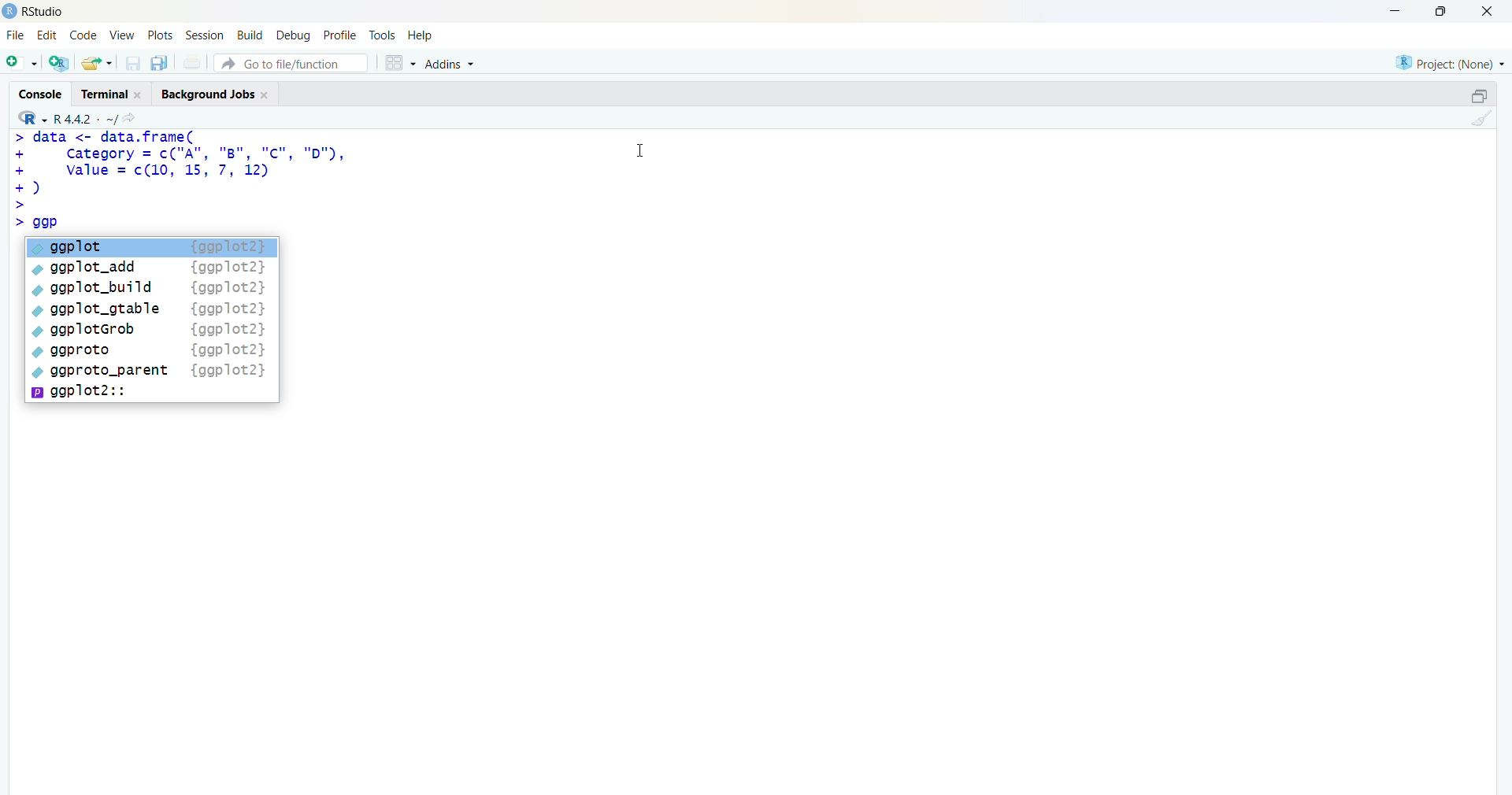 This screenshot has width=1512, height=795. Describe the element at coordinates (44, 92) in the screenshot. I see `Console` at that location.